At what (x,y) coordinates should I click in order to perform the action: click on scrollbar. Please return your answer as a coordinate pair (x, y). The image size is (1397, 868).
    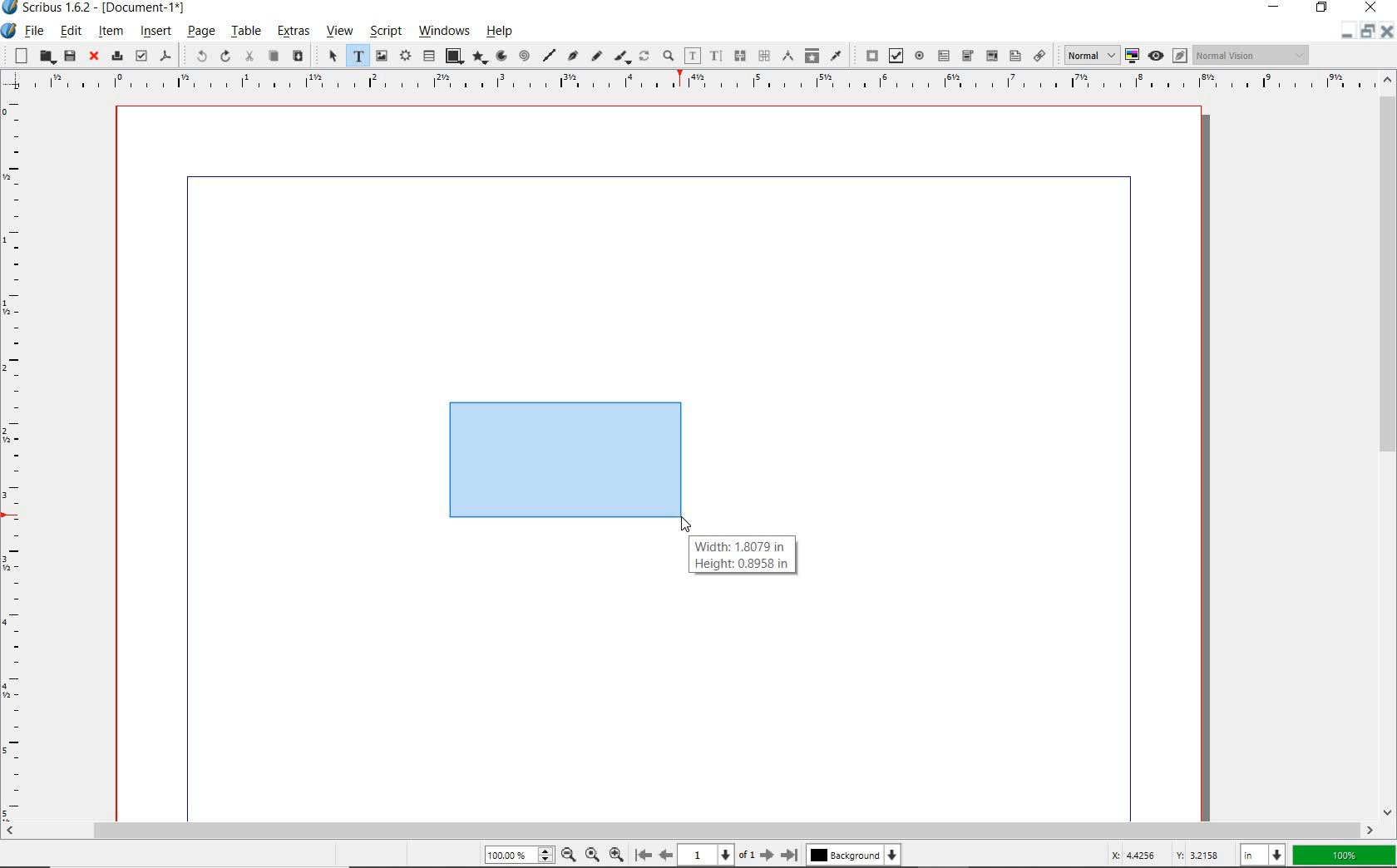
    Looking at the image, I should click on (1389, 445).